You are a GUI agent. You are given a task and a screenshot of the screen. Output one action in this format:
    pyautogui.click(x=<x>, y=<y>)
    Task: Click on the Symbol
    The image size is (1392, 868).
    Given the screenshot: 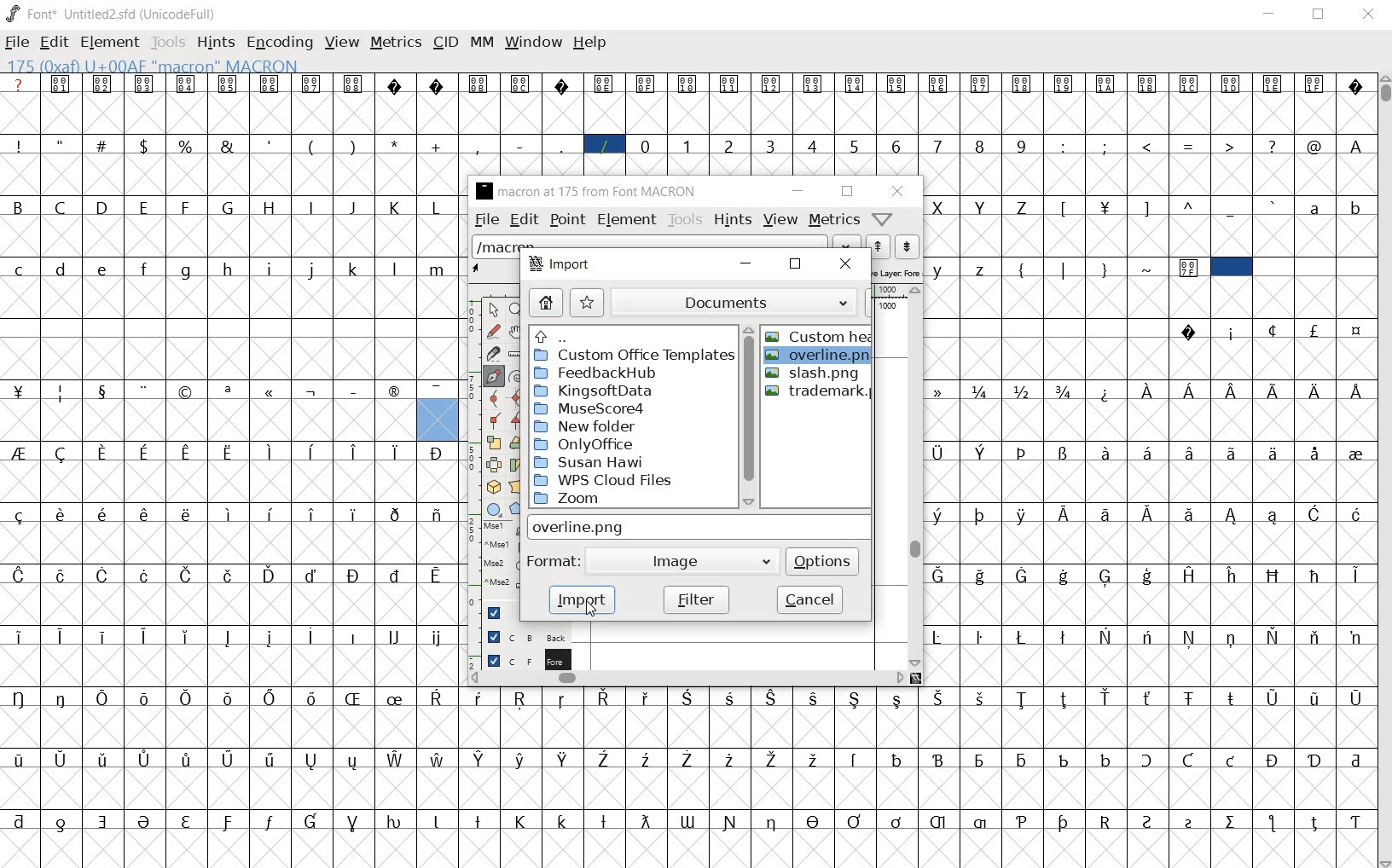 What is the action you would take?
    pyautogui.click(x=436, y=85)
    